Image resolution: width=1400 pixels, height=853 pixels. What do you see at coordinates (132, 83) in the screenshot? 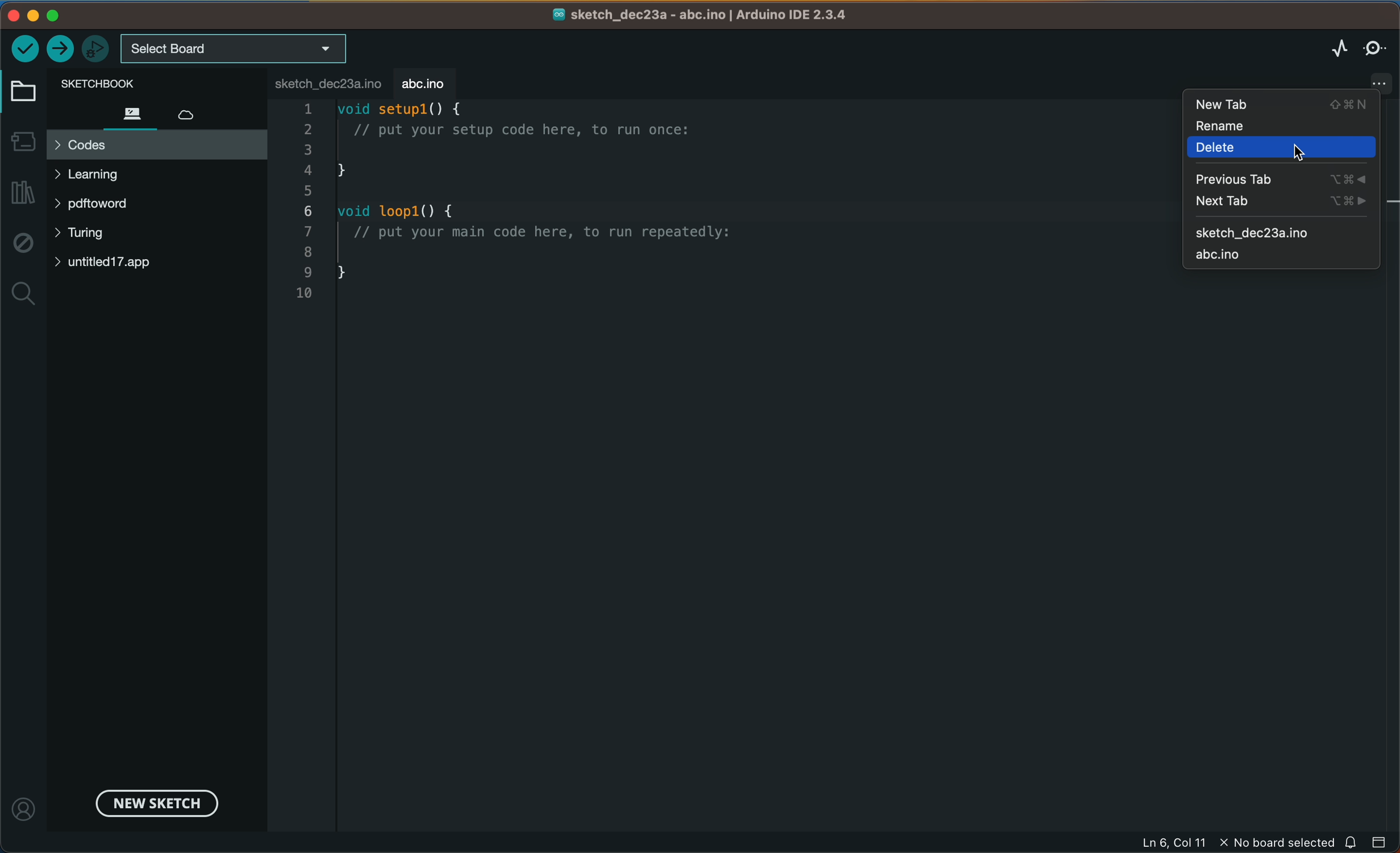
I see `sketch book` at bounding box center [132, 83].